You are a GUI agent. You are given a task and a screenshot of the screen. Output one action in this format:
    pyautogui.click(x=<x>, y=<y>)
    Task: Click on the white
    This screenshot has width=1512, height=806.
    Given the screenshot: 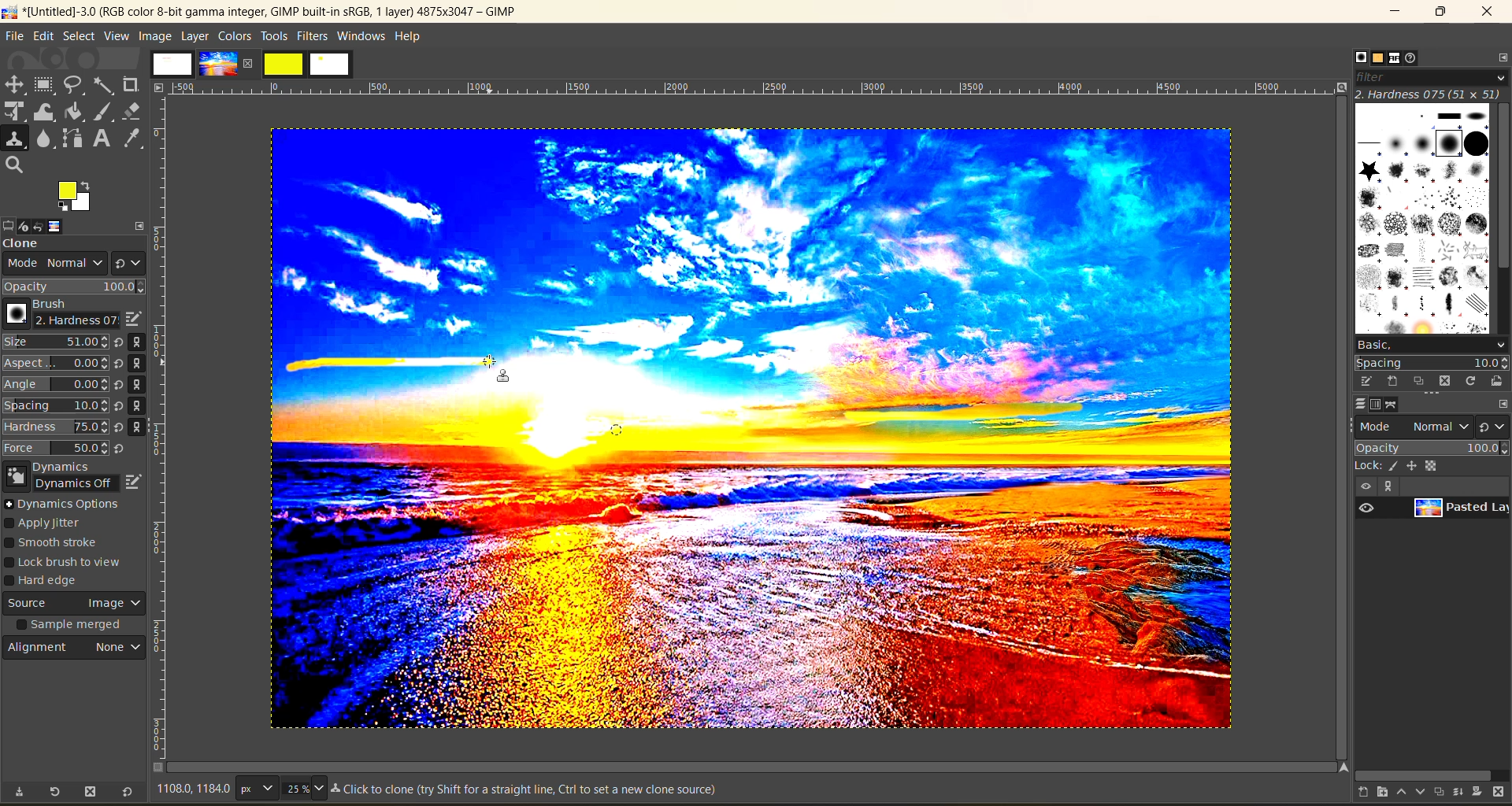 What is the action you would take?
    pyautogui.click(x=332, y=65)
    